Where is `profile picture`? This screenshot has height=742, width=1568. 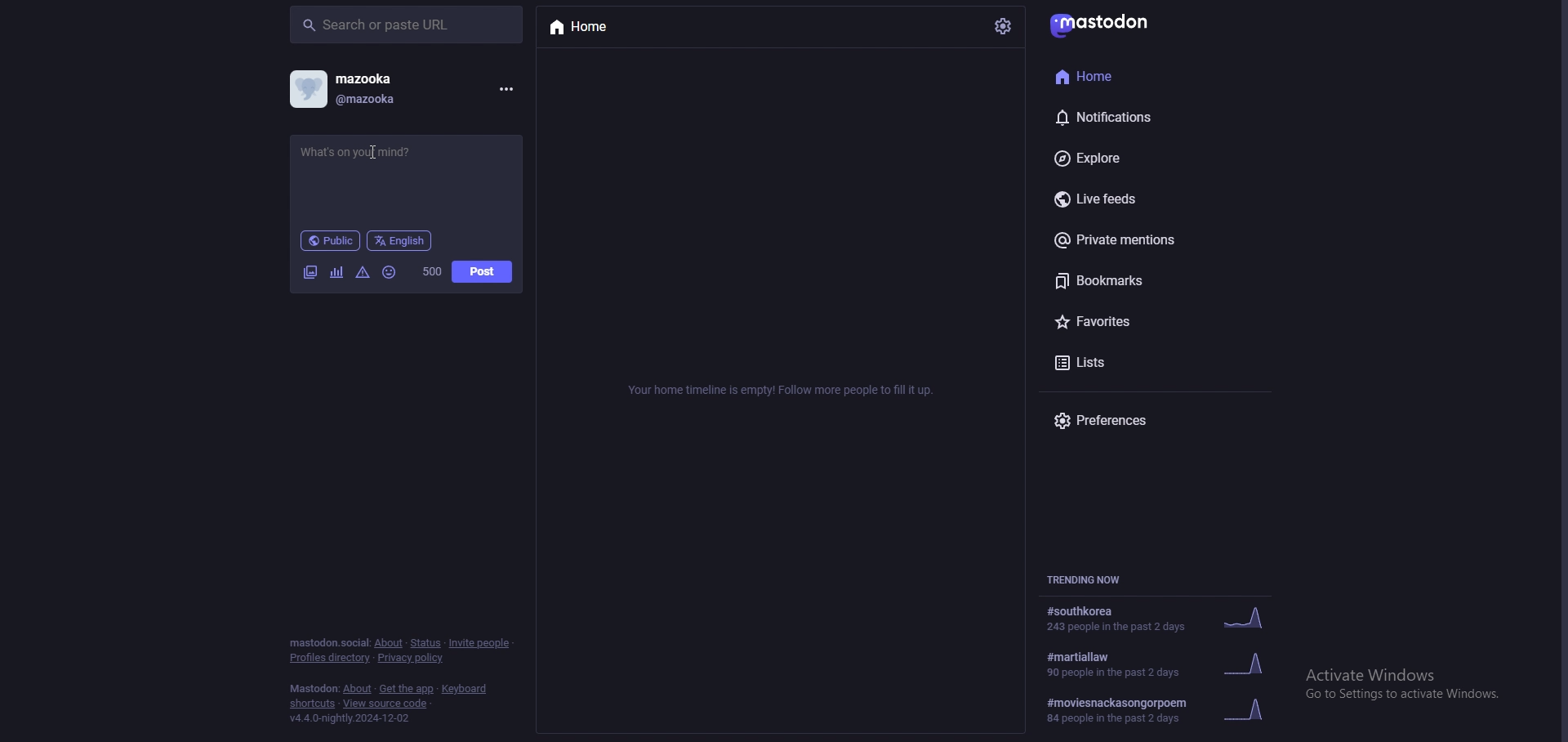
profile picture is located at coordinates (310, 88).